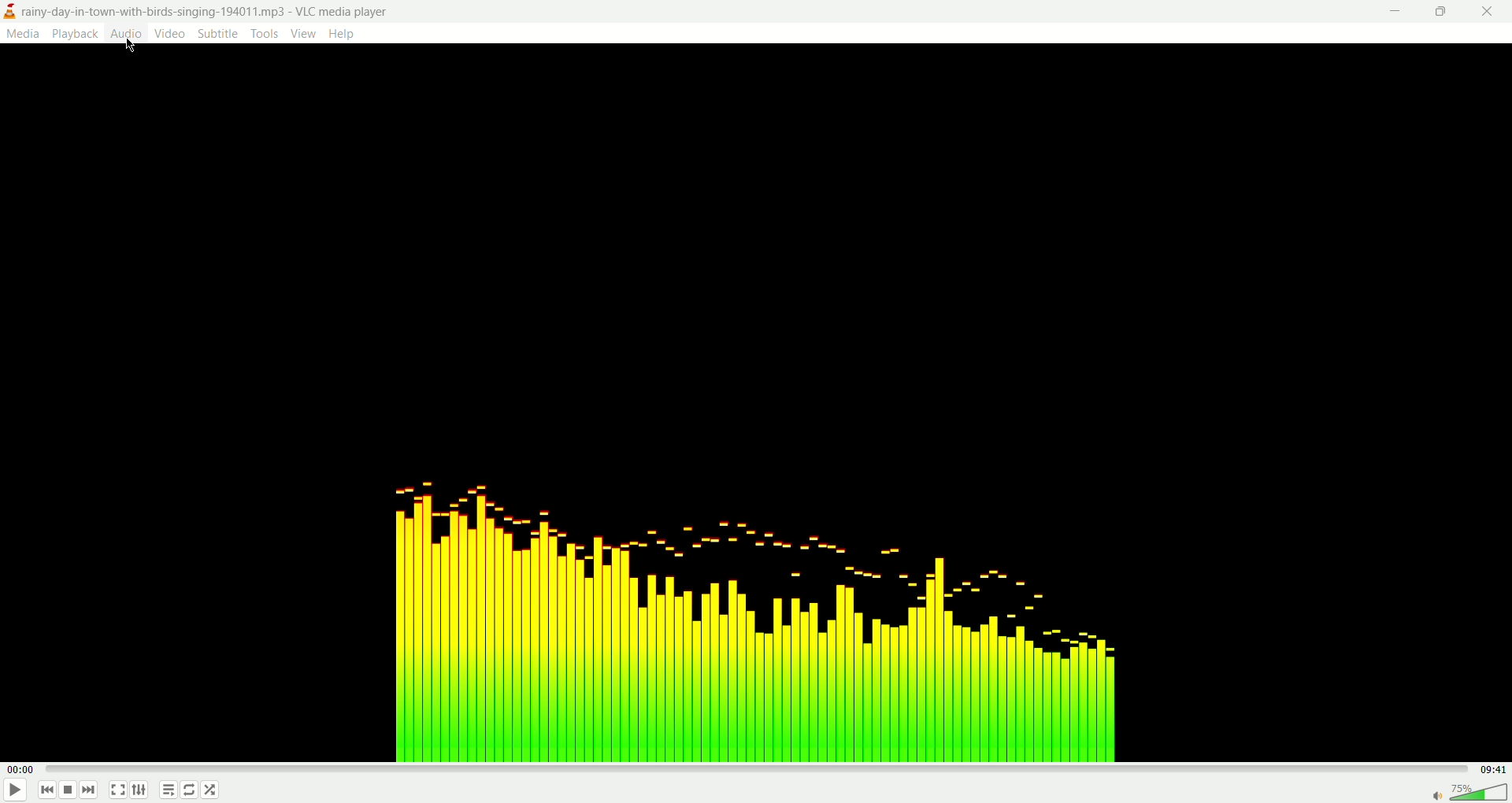  Describe the element at coordinates (76, 34) in the screenshot. I see `playback` at that location.